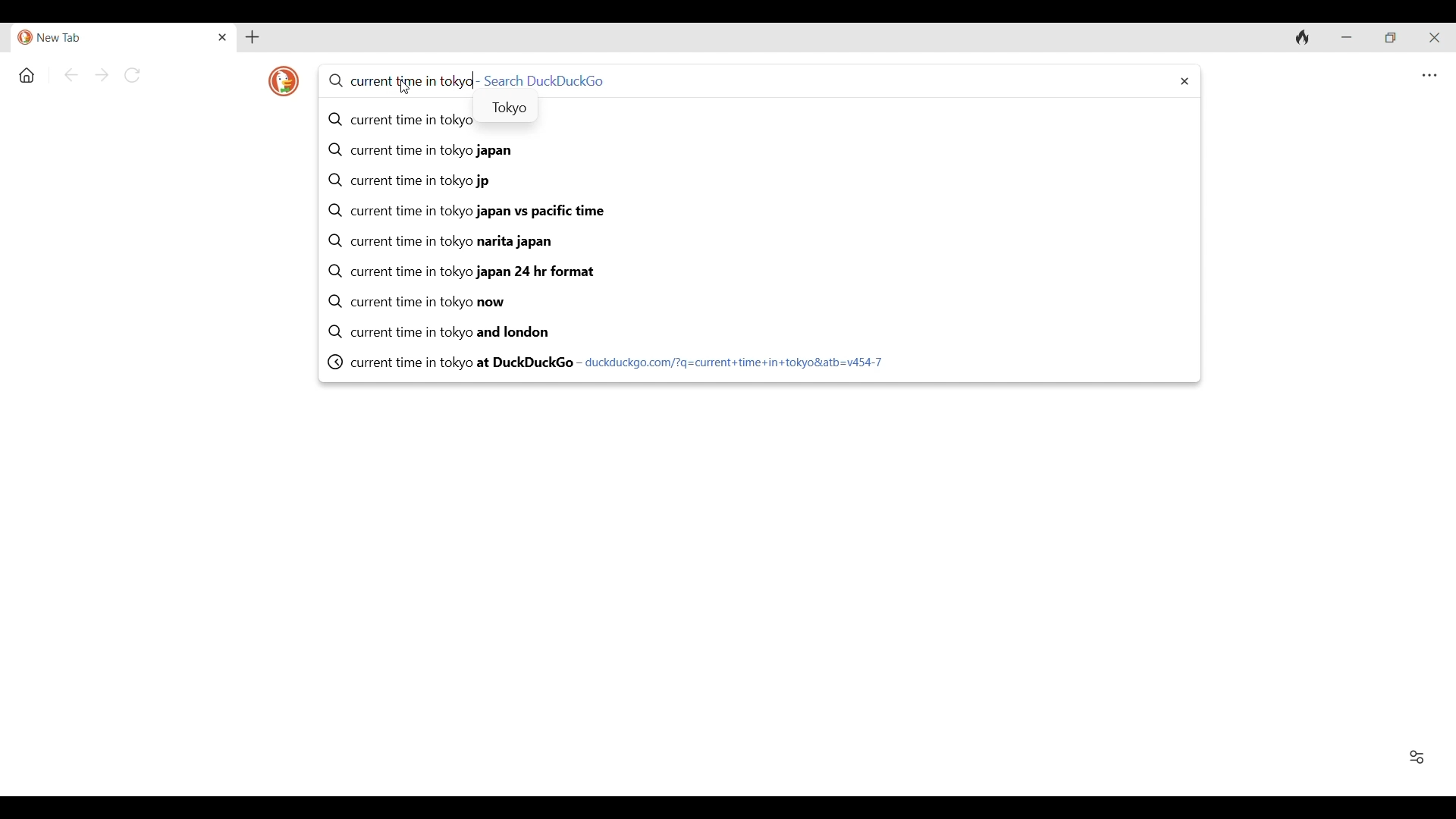  Describe the element at coordinates (223, 37) in the screenshot. I see `Close tab` at that location.